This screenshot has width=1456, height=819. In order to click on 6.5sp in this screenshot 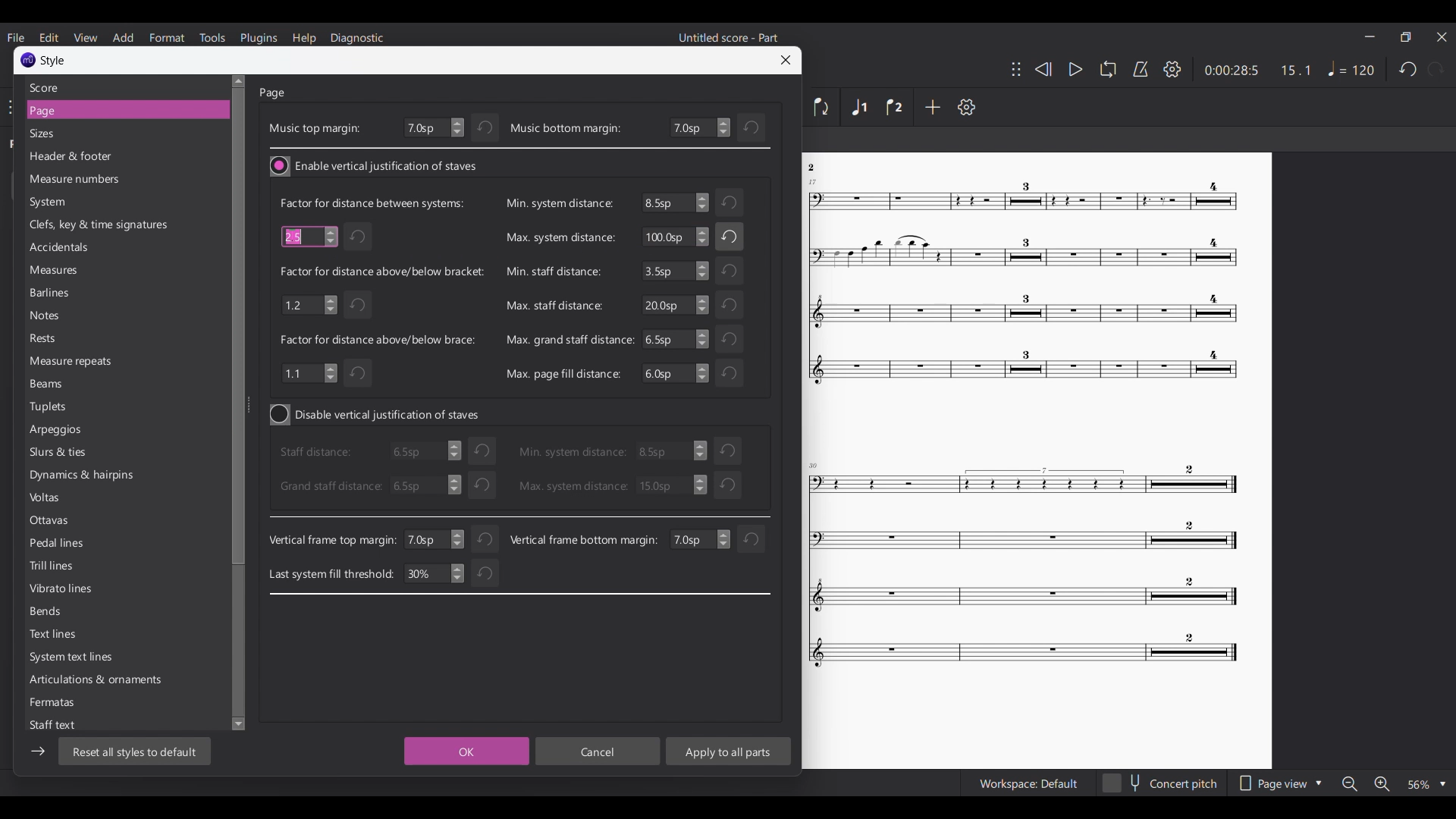, I will do `click(423, 485)`.